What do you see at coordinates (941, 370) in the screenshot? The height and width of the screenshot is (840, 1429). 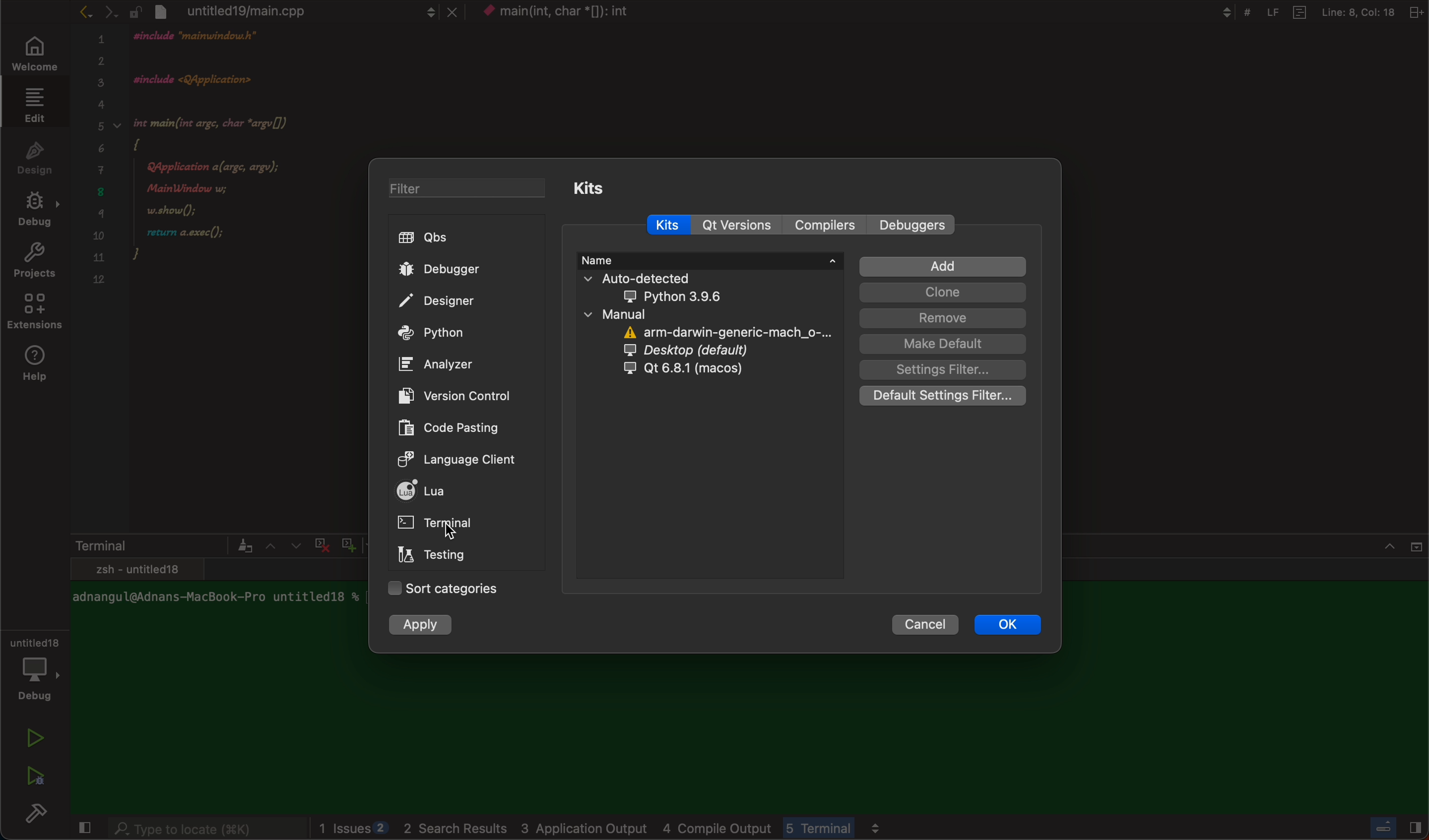 I see `setting filter` at bounding box center [941, 370].